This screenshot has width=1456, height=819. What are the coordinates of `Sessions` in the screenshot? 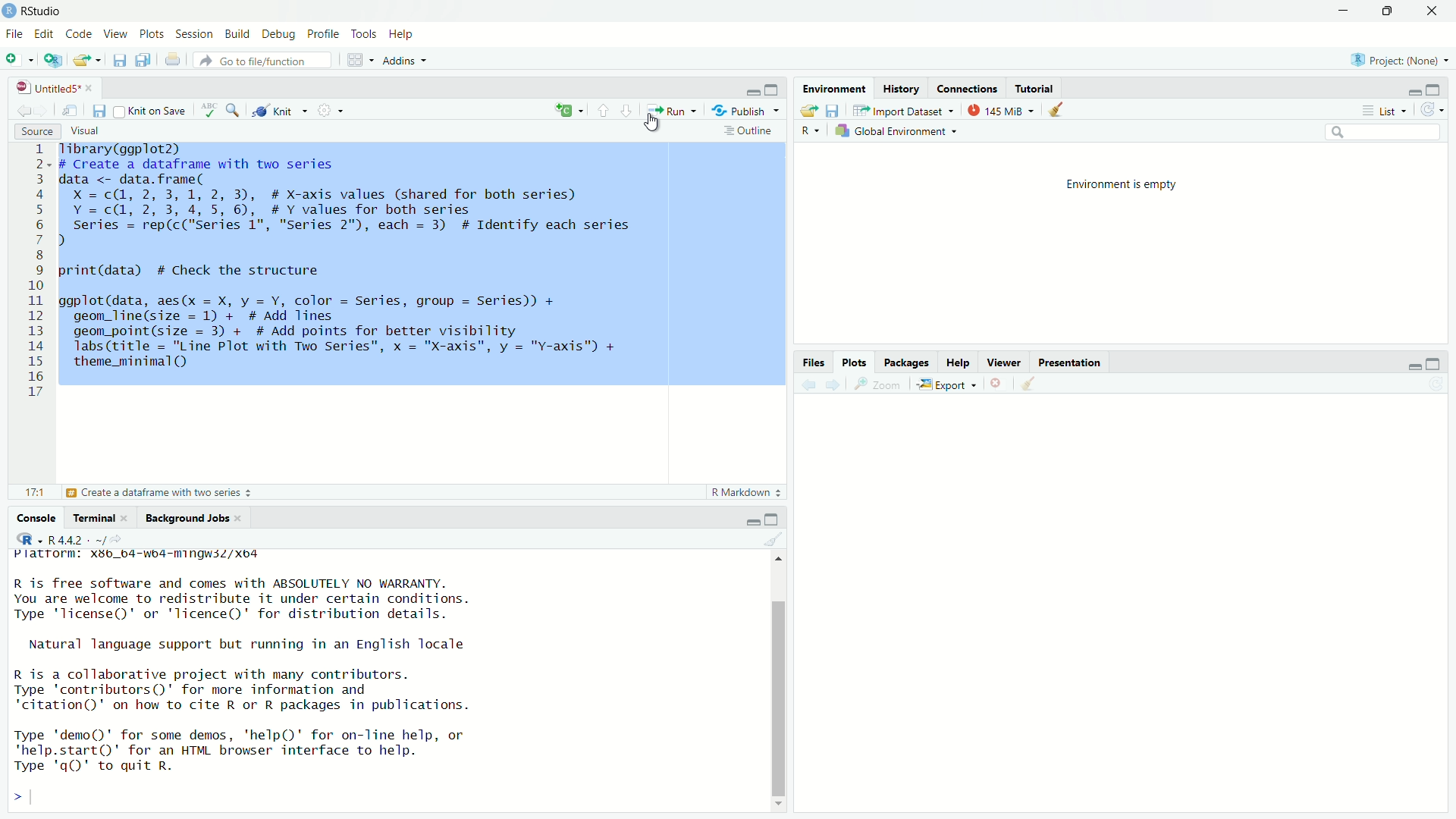 It's located at (194, 36).